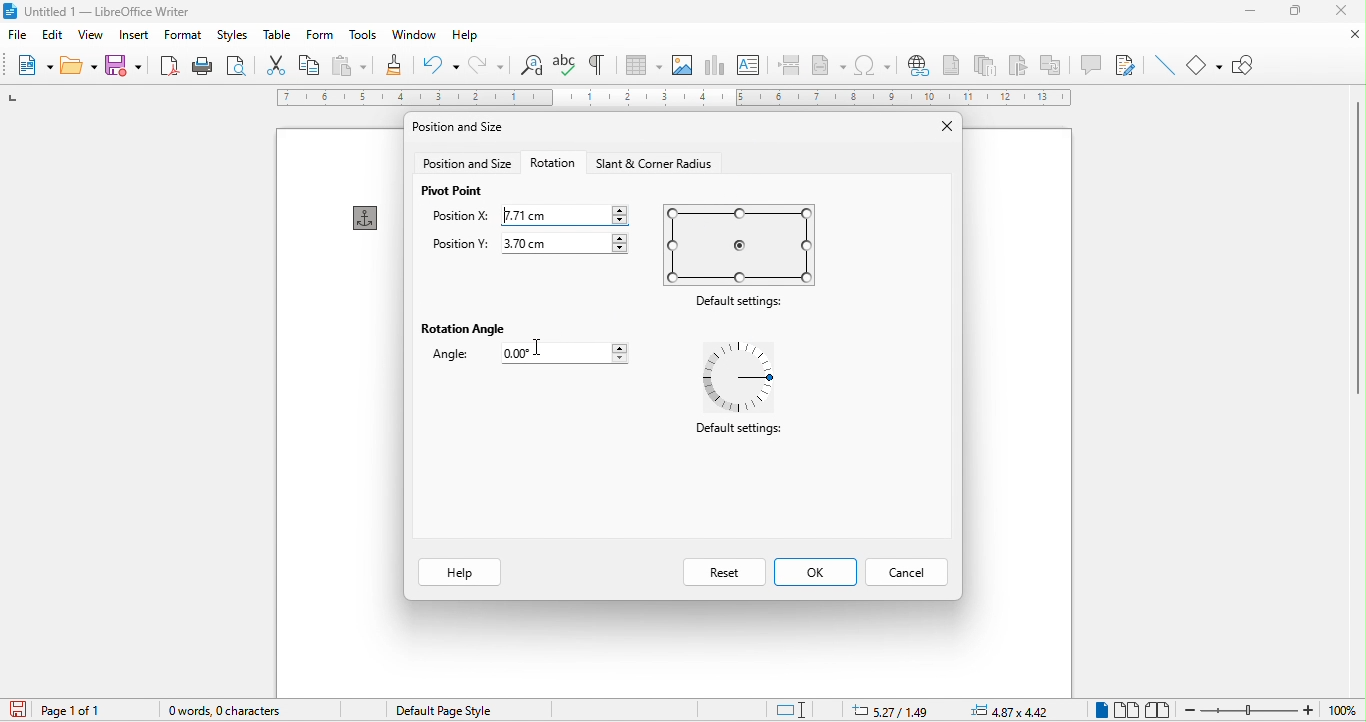  I want to click on anchor, so click(370, 218).